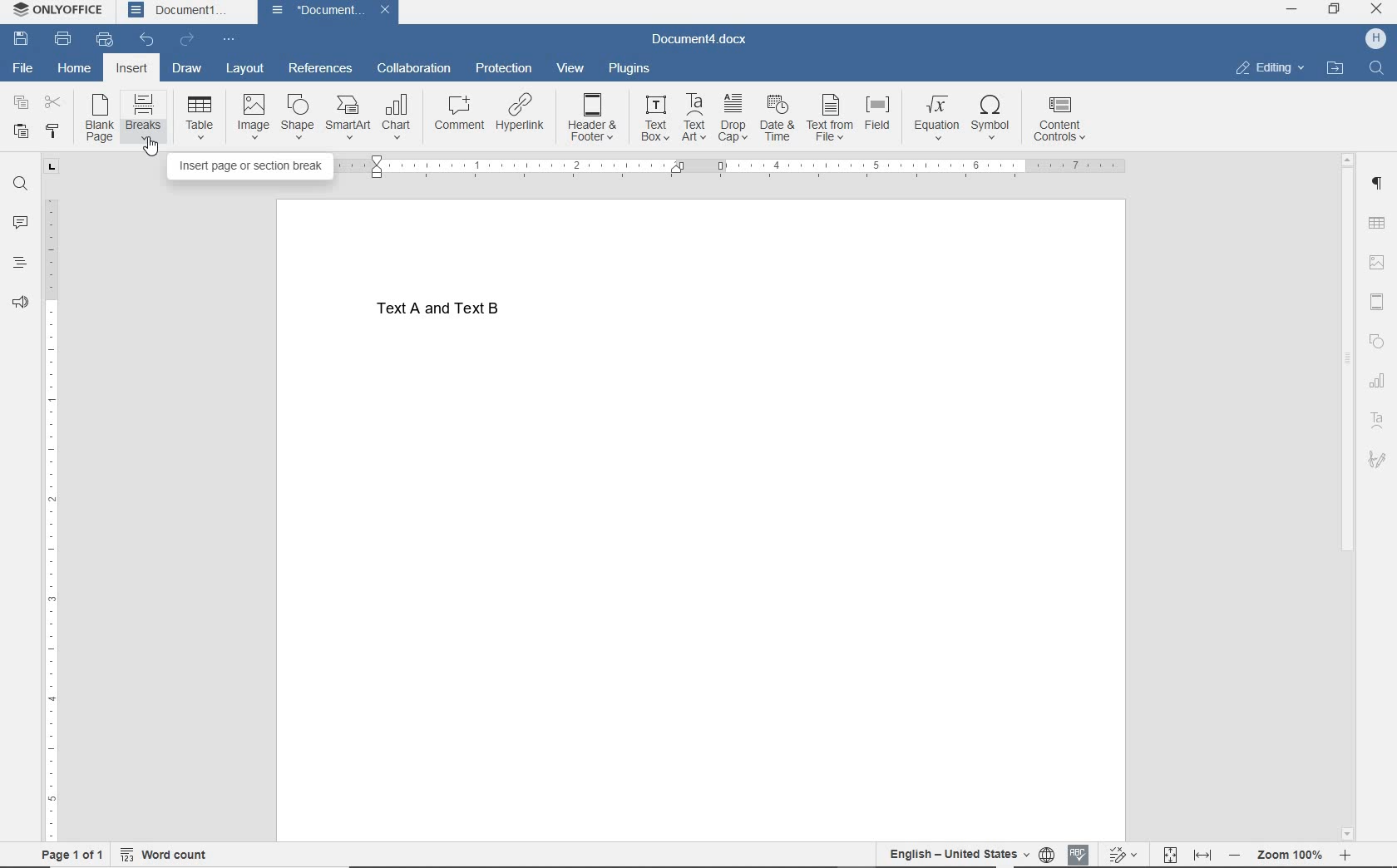 The width and height of the screenshot is (1397, 868). What do you see at coordinates (199, 121) in the screenshot?
I see `TABLE` at bounding box center [199, 121].